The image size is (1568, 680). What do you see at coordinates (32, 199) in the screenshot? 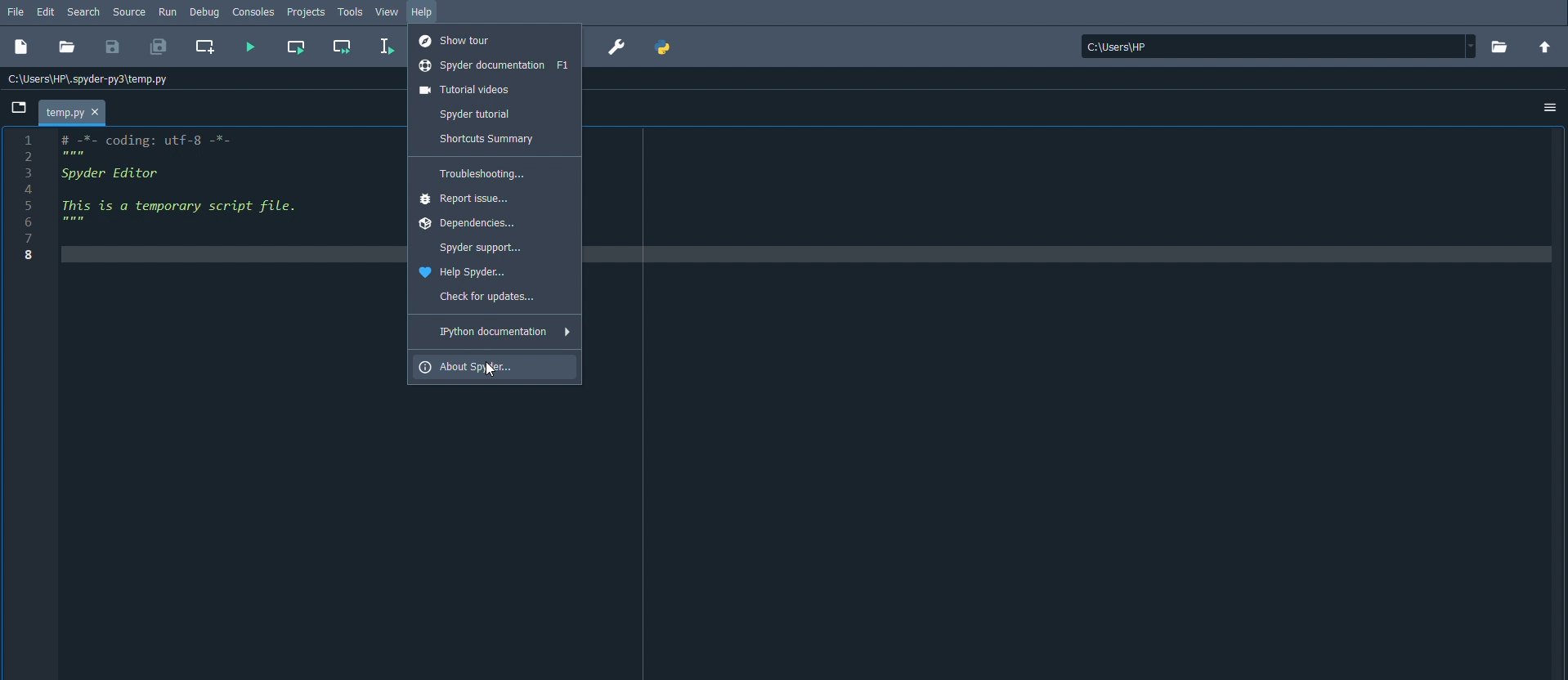
I see `line numbers` at bounding box center [32, 199].